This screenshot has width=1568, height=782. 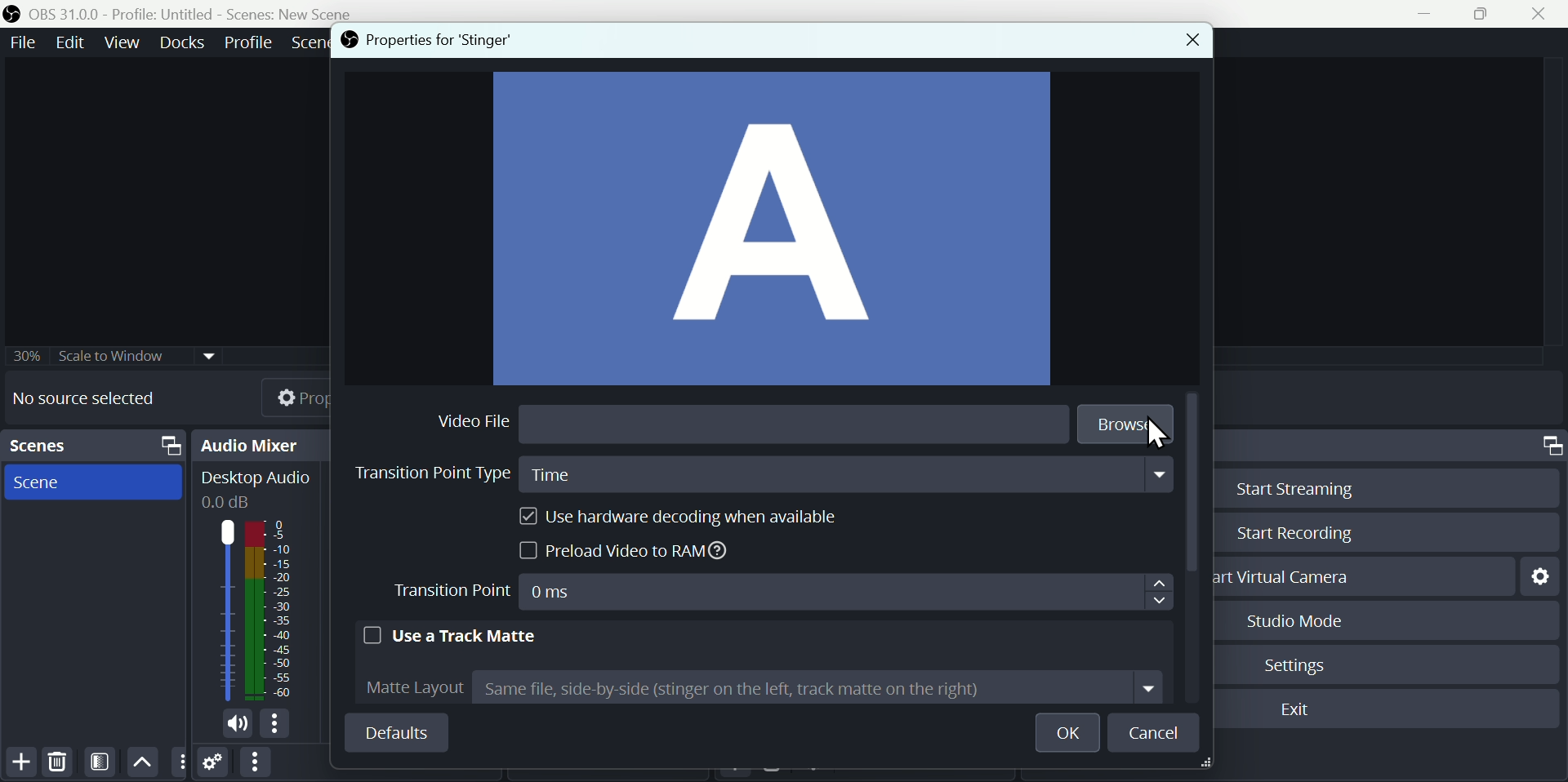 I want to click on Browse, so click(x=1128, y=423).